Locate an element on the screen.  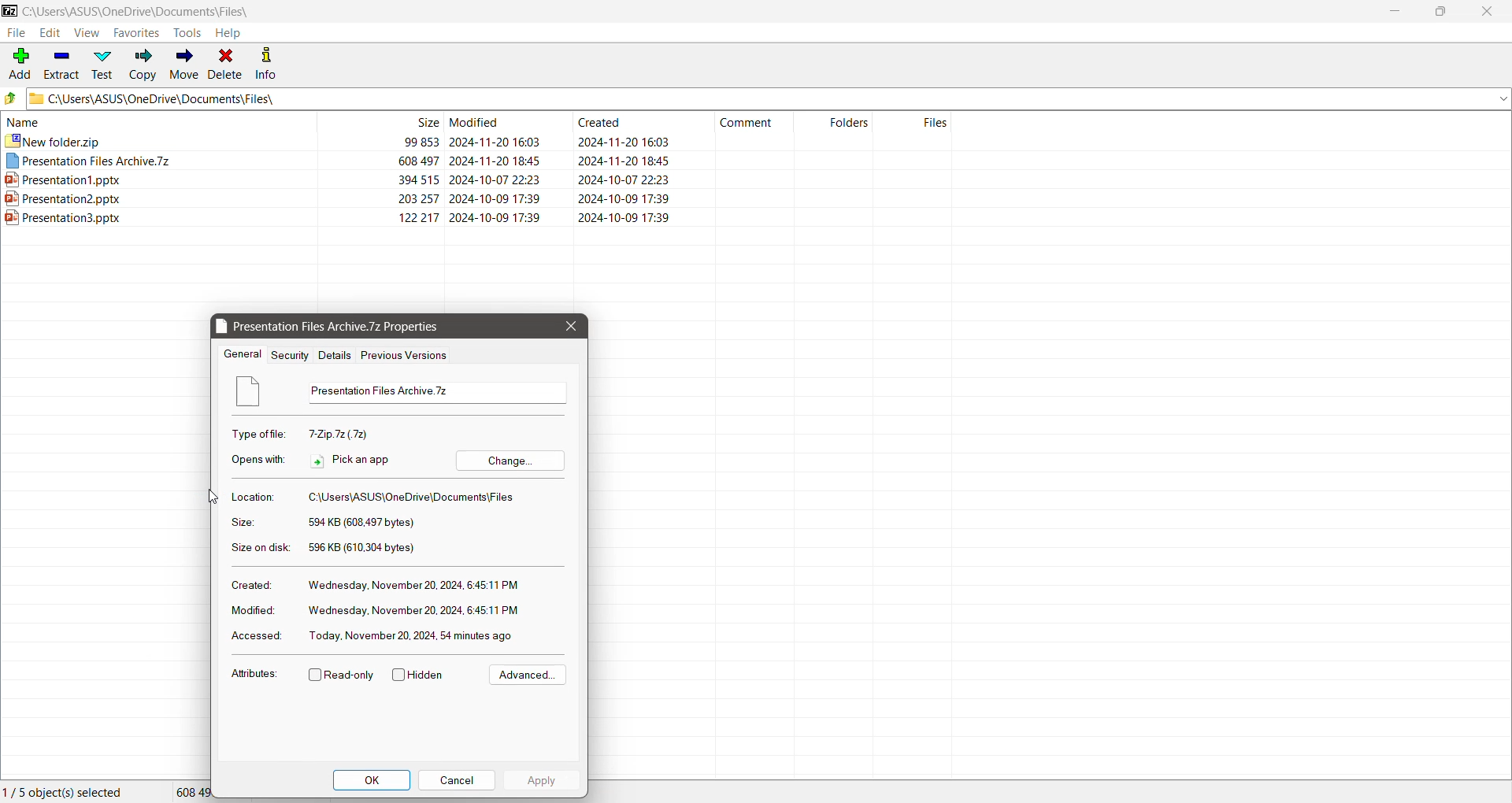
Presentation Files Archive.7Z Properties is located at coordinates (331, 327).